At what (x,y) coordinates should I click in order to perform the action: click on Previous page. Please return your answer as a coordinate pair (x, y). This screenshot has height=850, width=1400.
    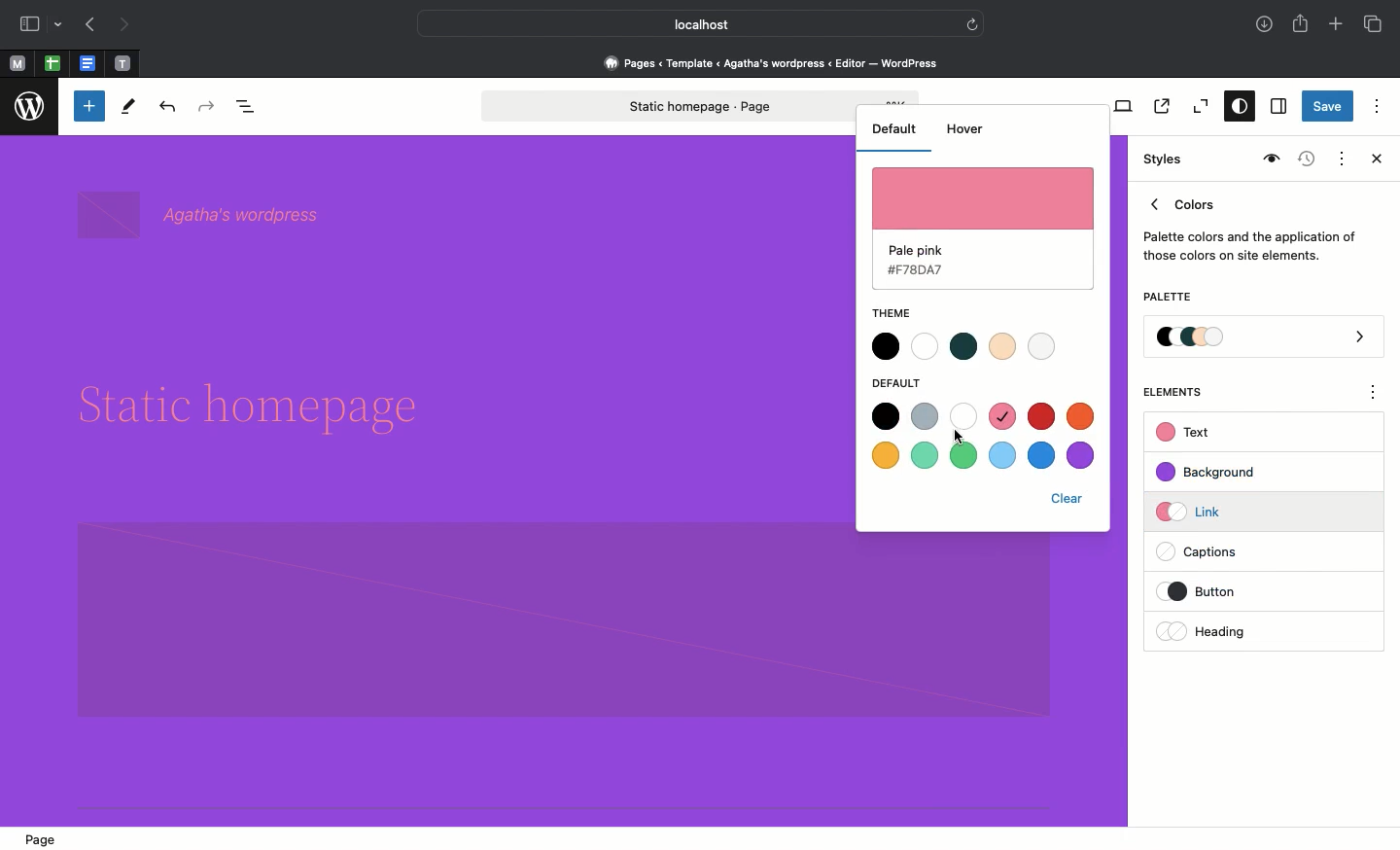
    Looking at the image, I should click on (88, 26).